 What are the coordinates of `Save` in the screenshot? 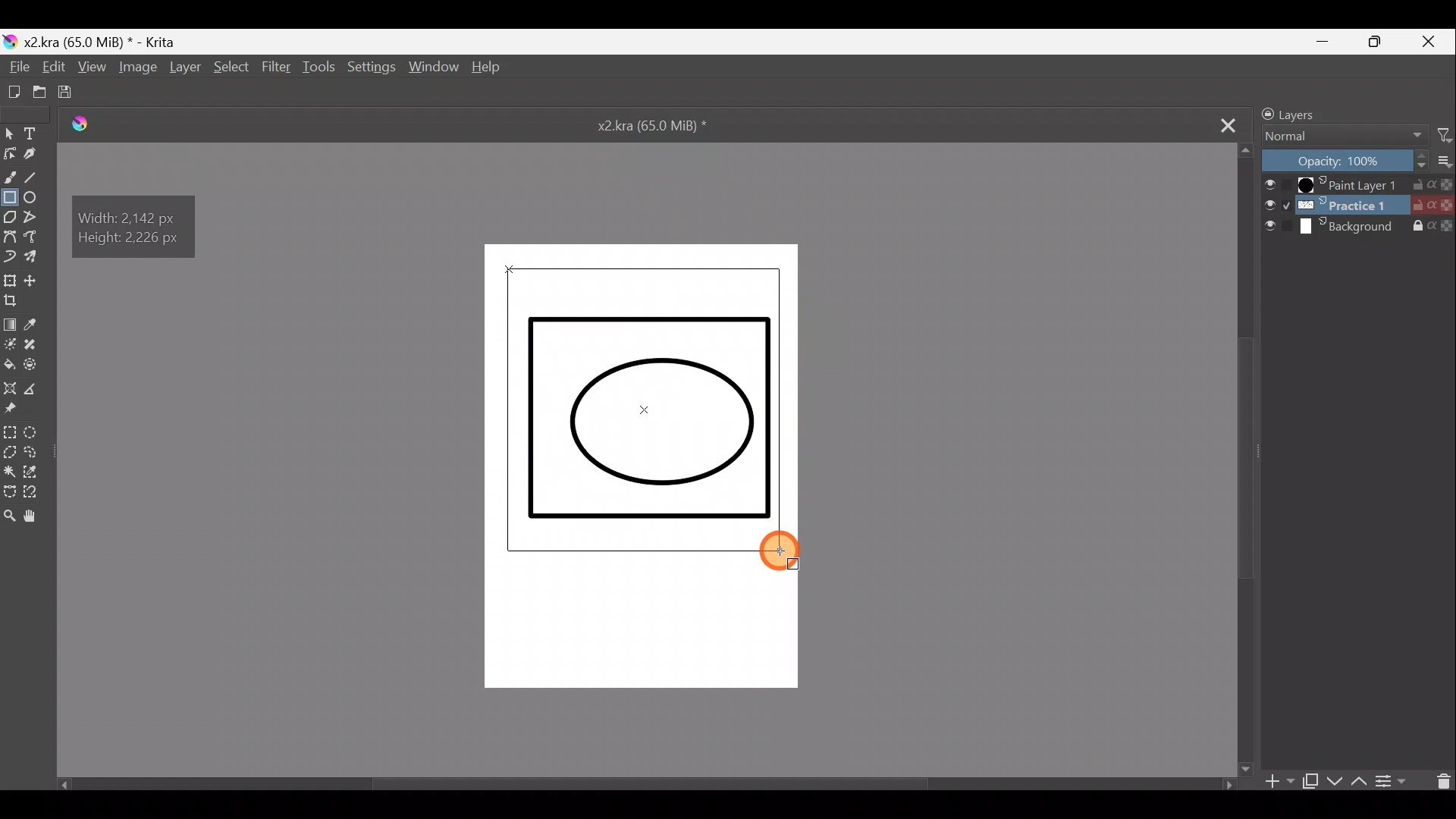 It's located at (71, 93).